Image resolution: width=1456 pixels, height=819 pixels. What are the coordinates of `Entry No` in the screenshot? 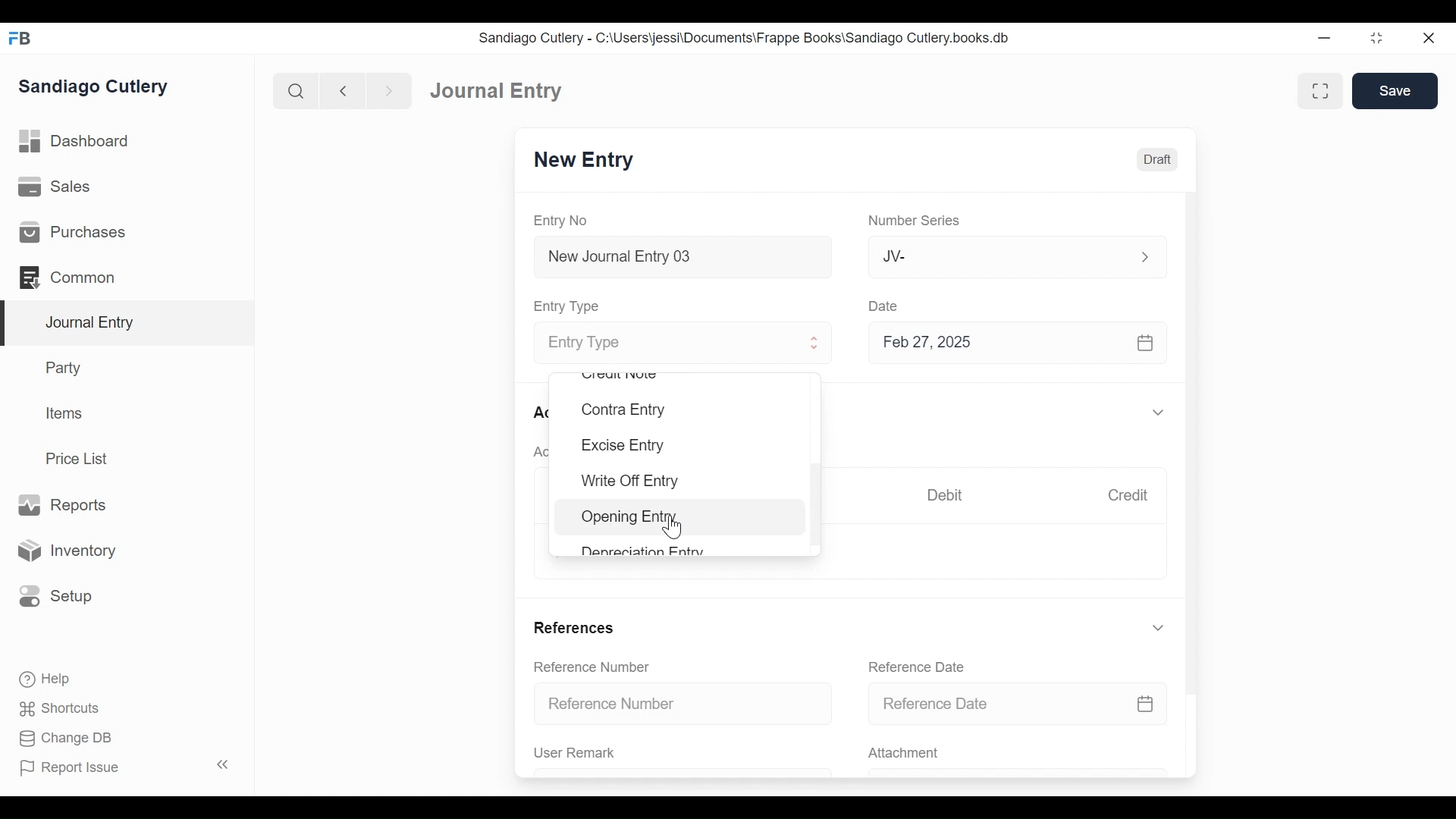 It's located at (560, 221).